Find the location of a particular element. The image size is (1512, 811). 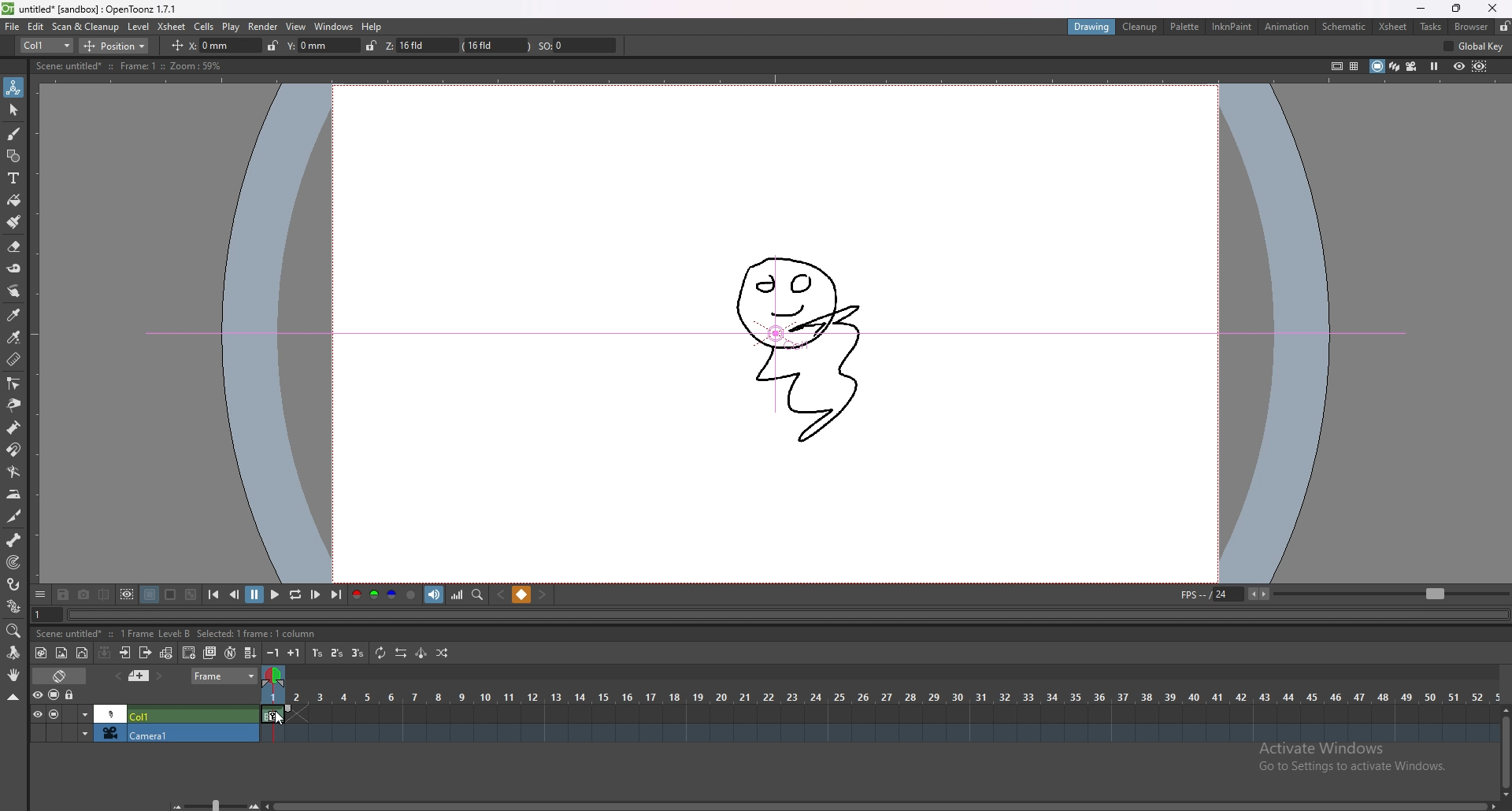

play is located at coordinates (232, 27).